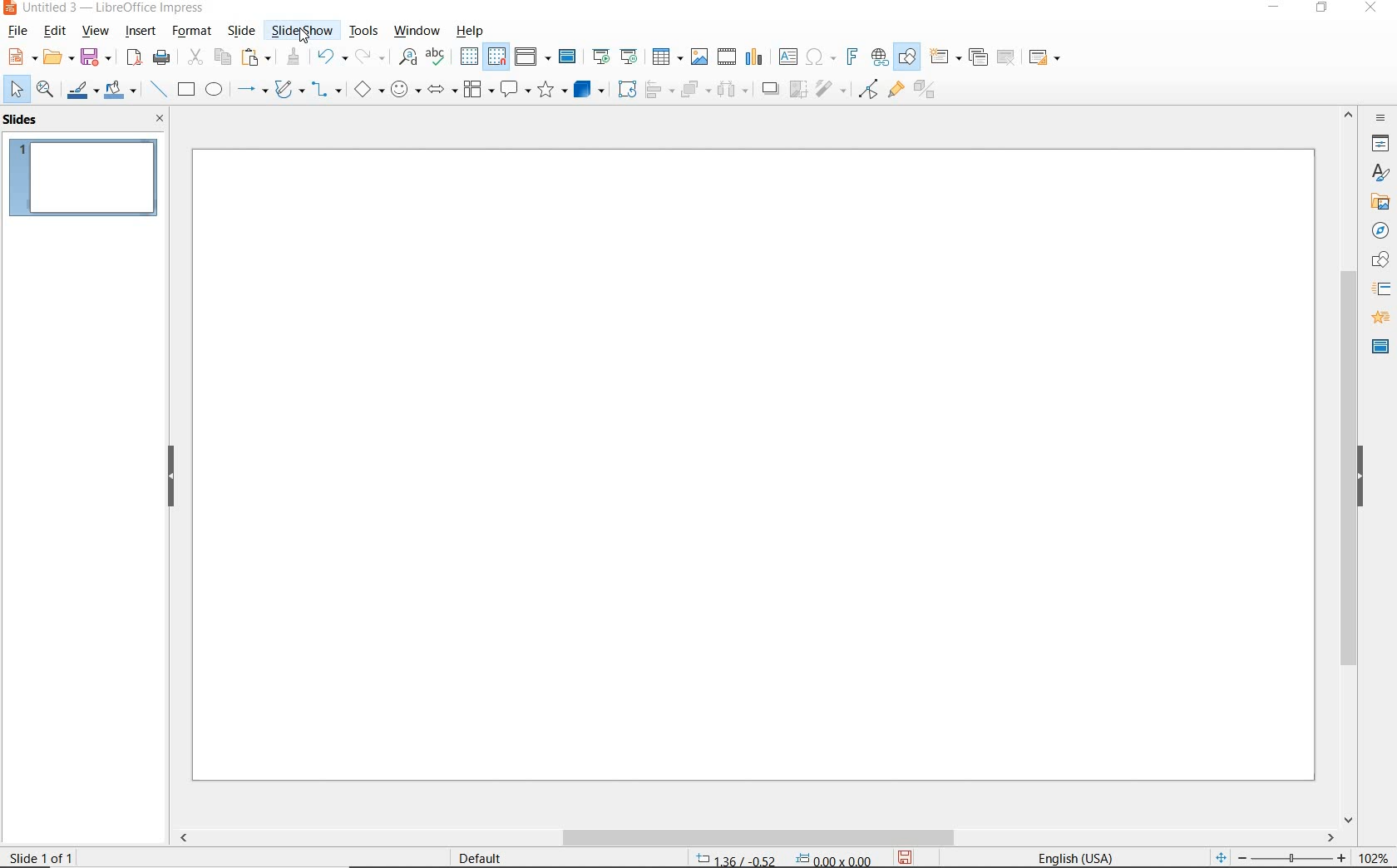  Describe the element at coordinates (600, 57) in the screenshot. I see `START FROM FIRST SLIDE` at that location.